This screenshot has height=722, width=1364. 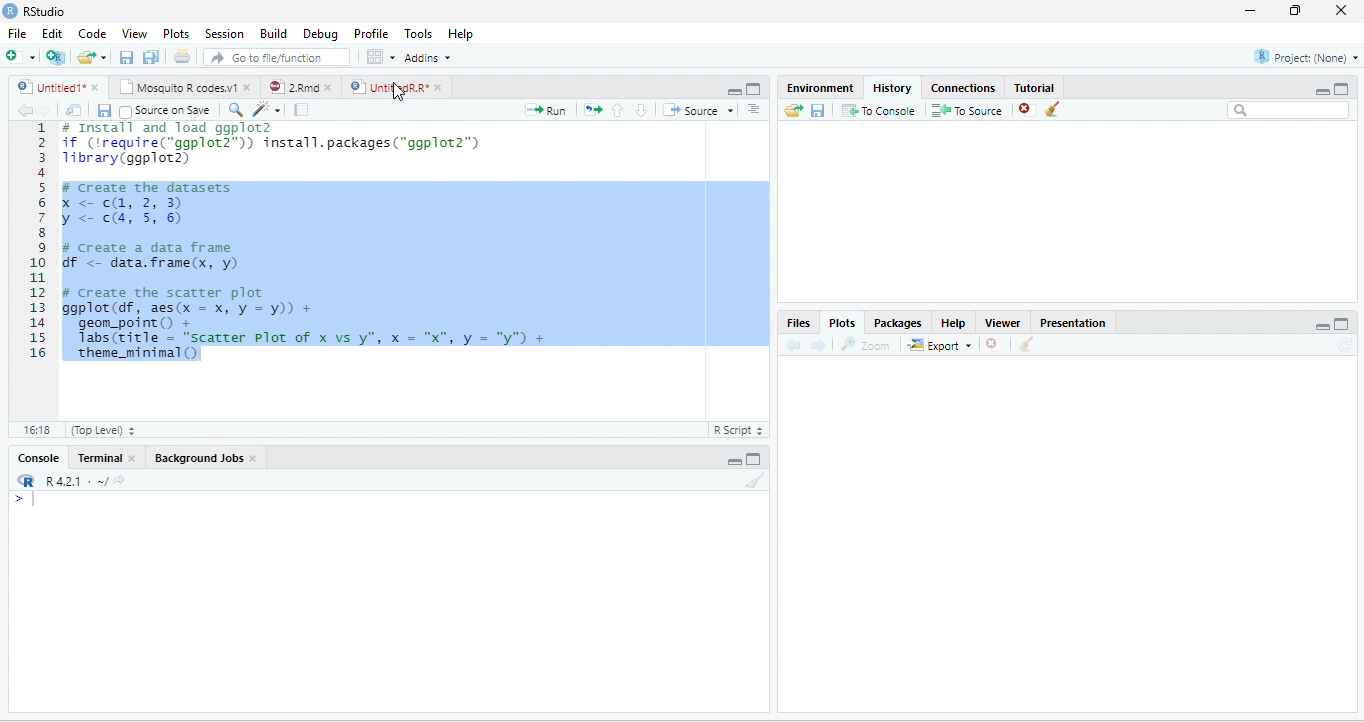 I want to click on Save history into a file, so click(x=818, y=111).